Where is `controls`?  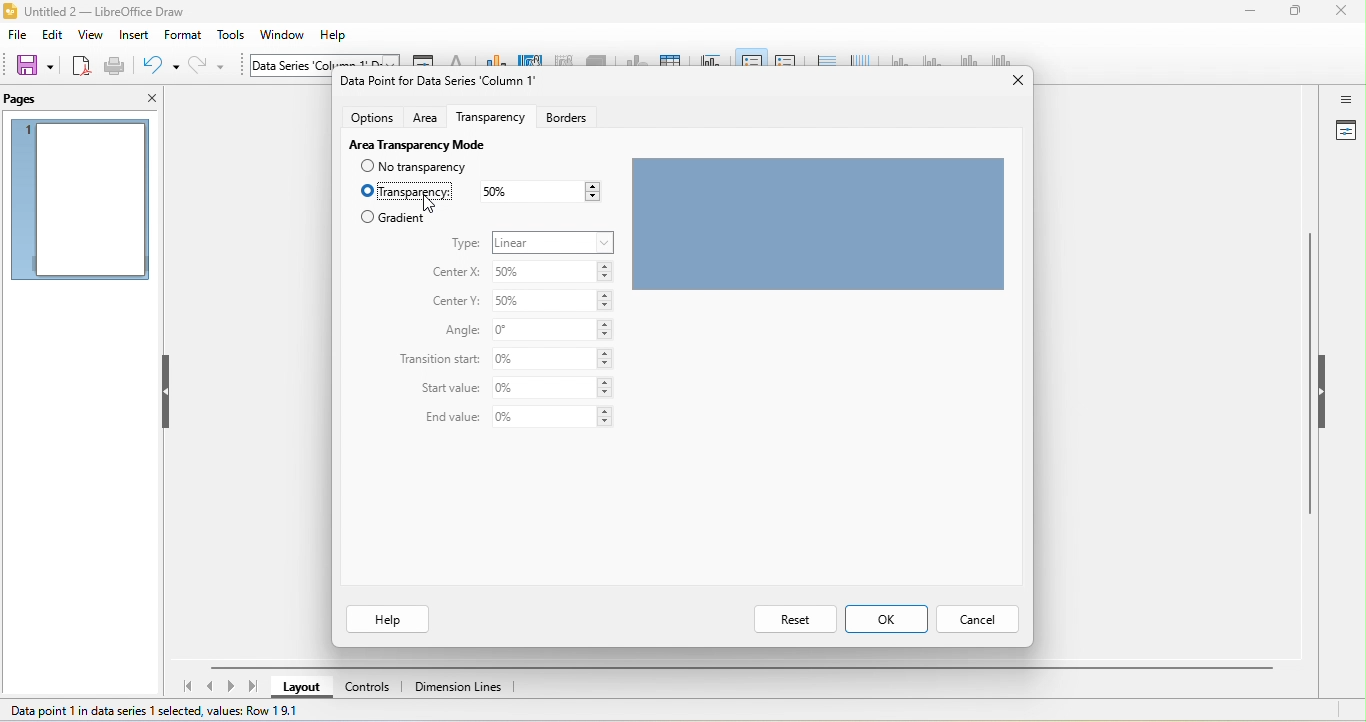 controls is located at coordinates (371, 686).